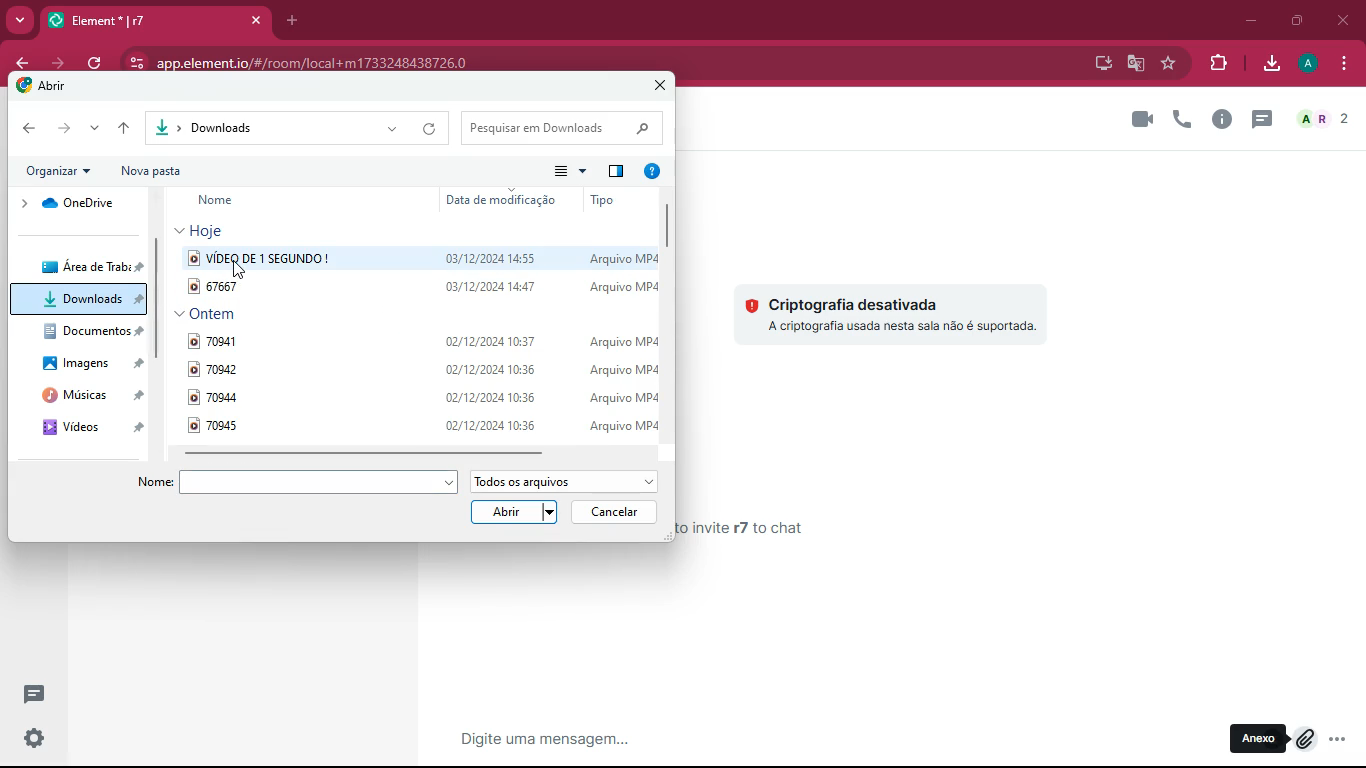 The width and height of the screenshot is (1366, 768). What do you see at coordinates (1310, 63) in the screenshot?
I see `profile` at bounding box center [1310, 63].